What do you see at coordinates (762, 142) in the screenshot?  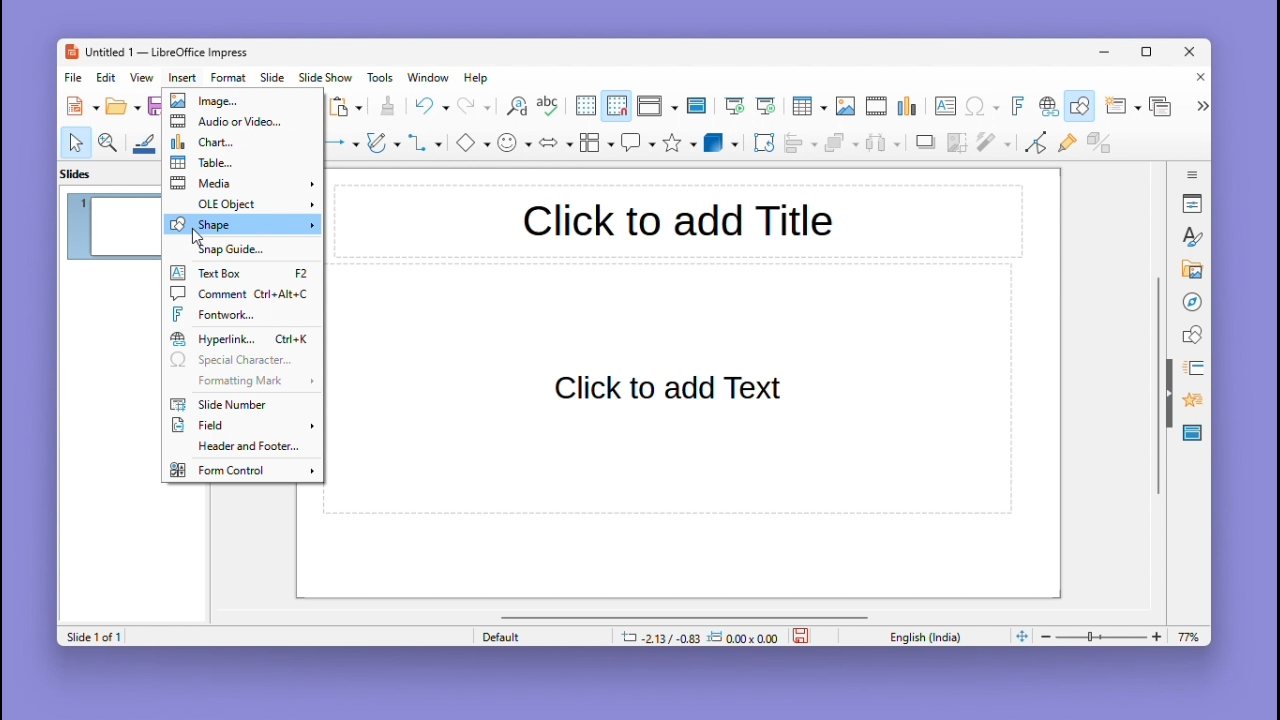 I see `Rotate` at bounding box center [762, 142].